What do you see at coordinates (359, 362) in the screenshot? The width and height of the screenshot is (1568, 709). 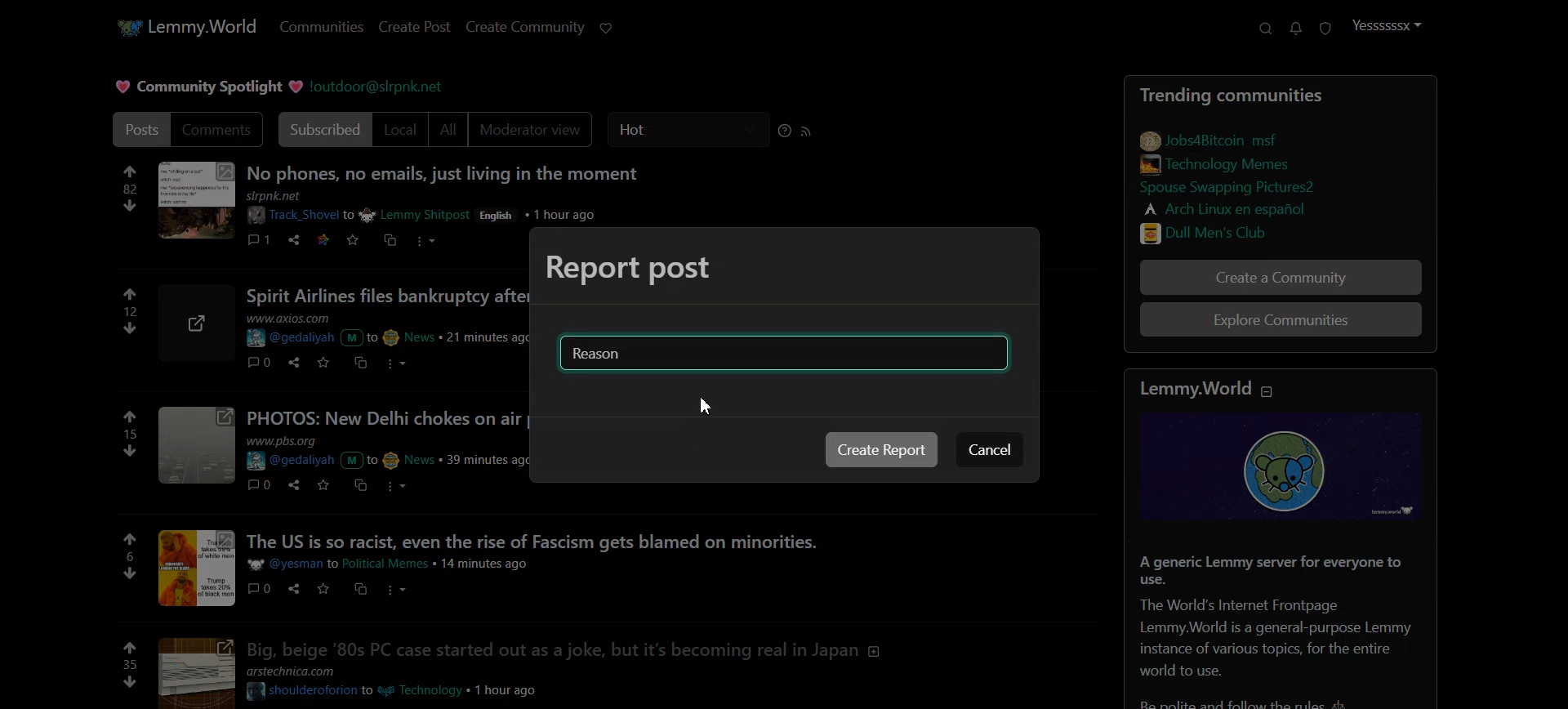 I see `cross post` at bounding box center [359, 362].